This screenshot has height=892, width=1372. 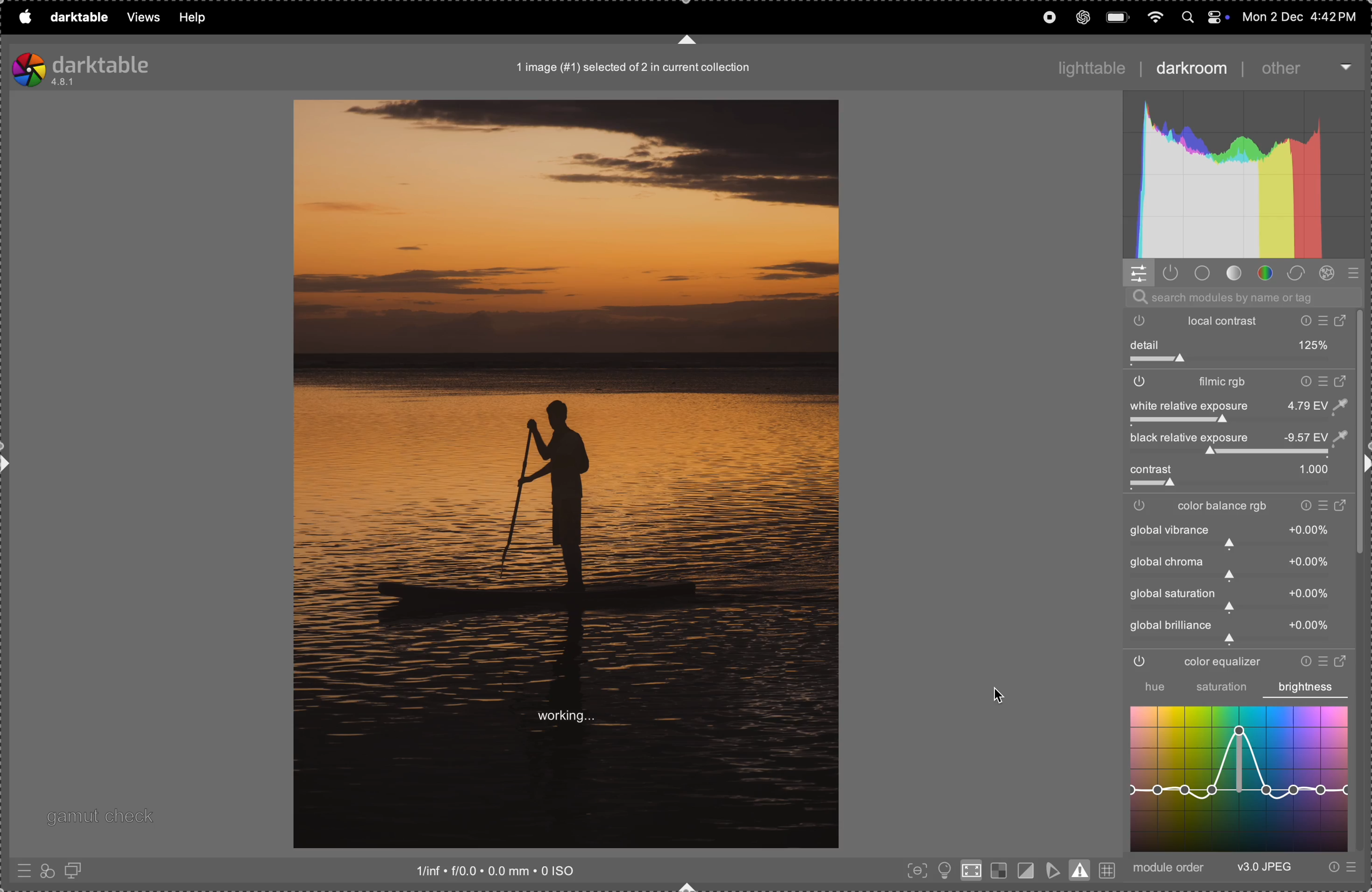 I want to click on battery, so click(x=1118, y=16).